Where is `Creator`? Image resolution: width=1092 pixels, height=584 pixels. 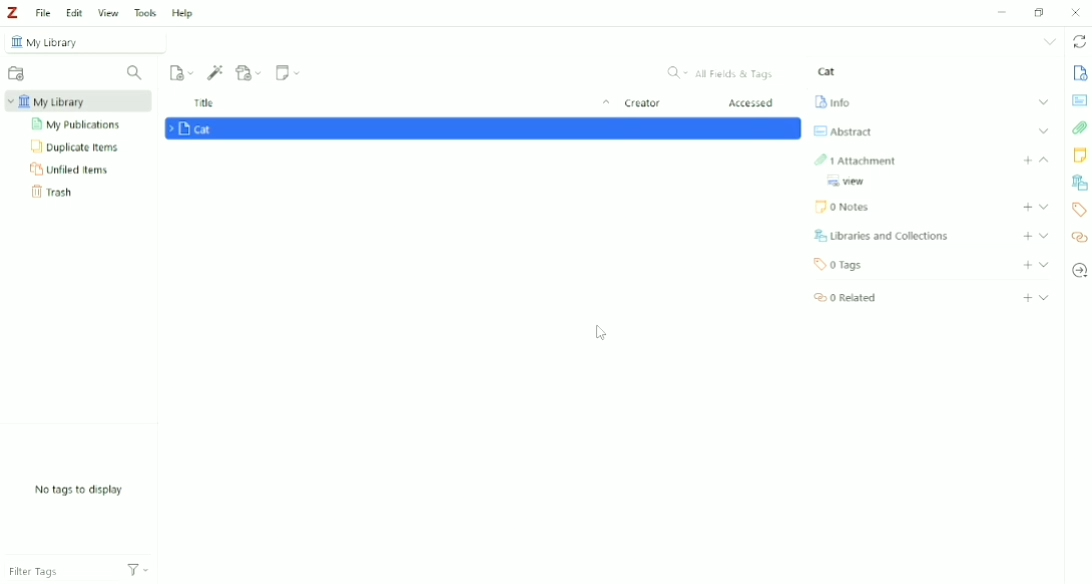
Creator is located at coordinates (642, 104).